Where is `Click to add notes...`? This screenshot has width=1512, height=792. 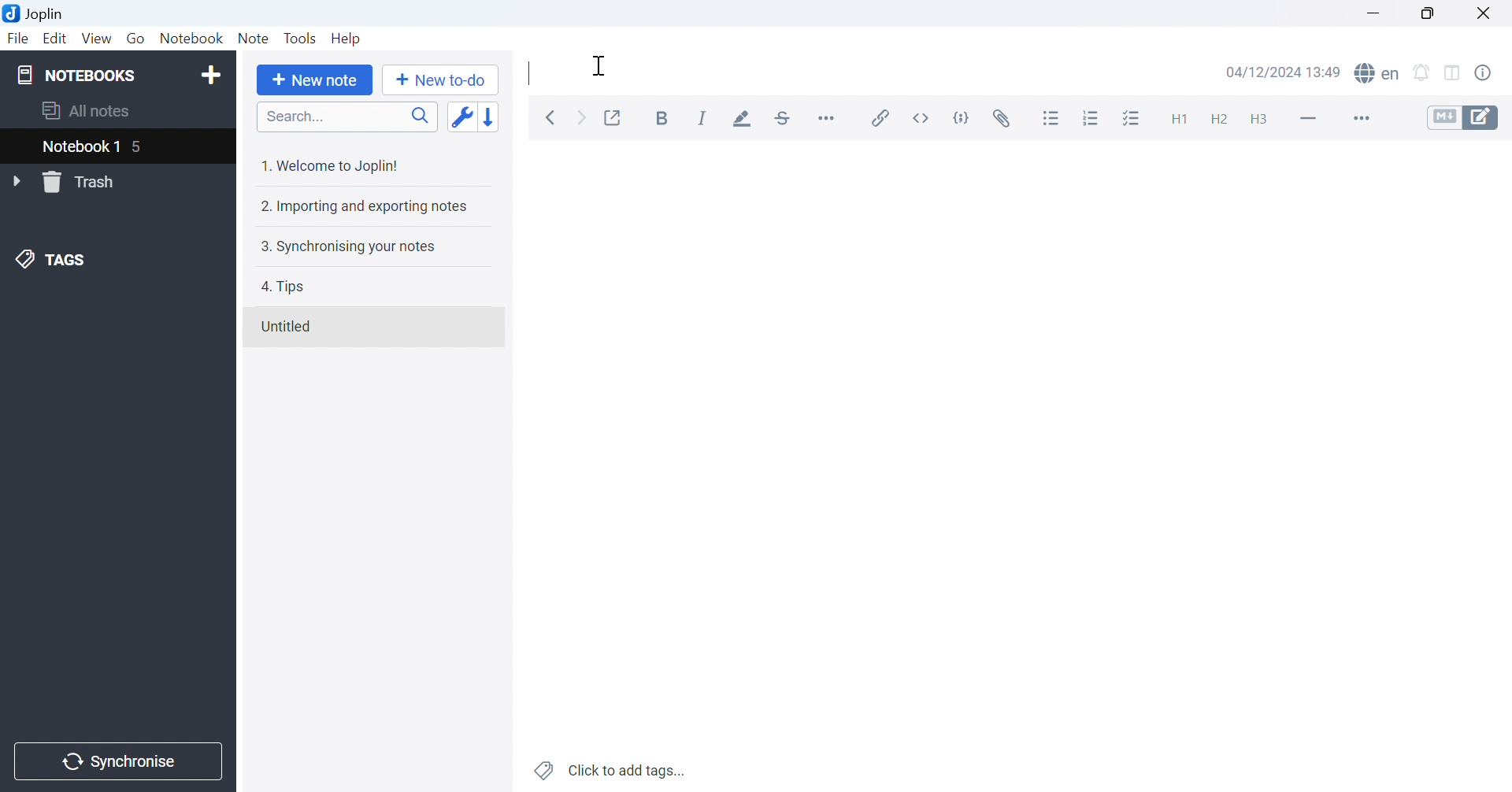
Click to add notes... is located at coordinates (612, 768).